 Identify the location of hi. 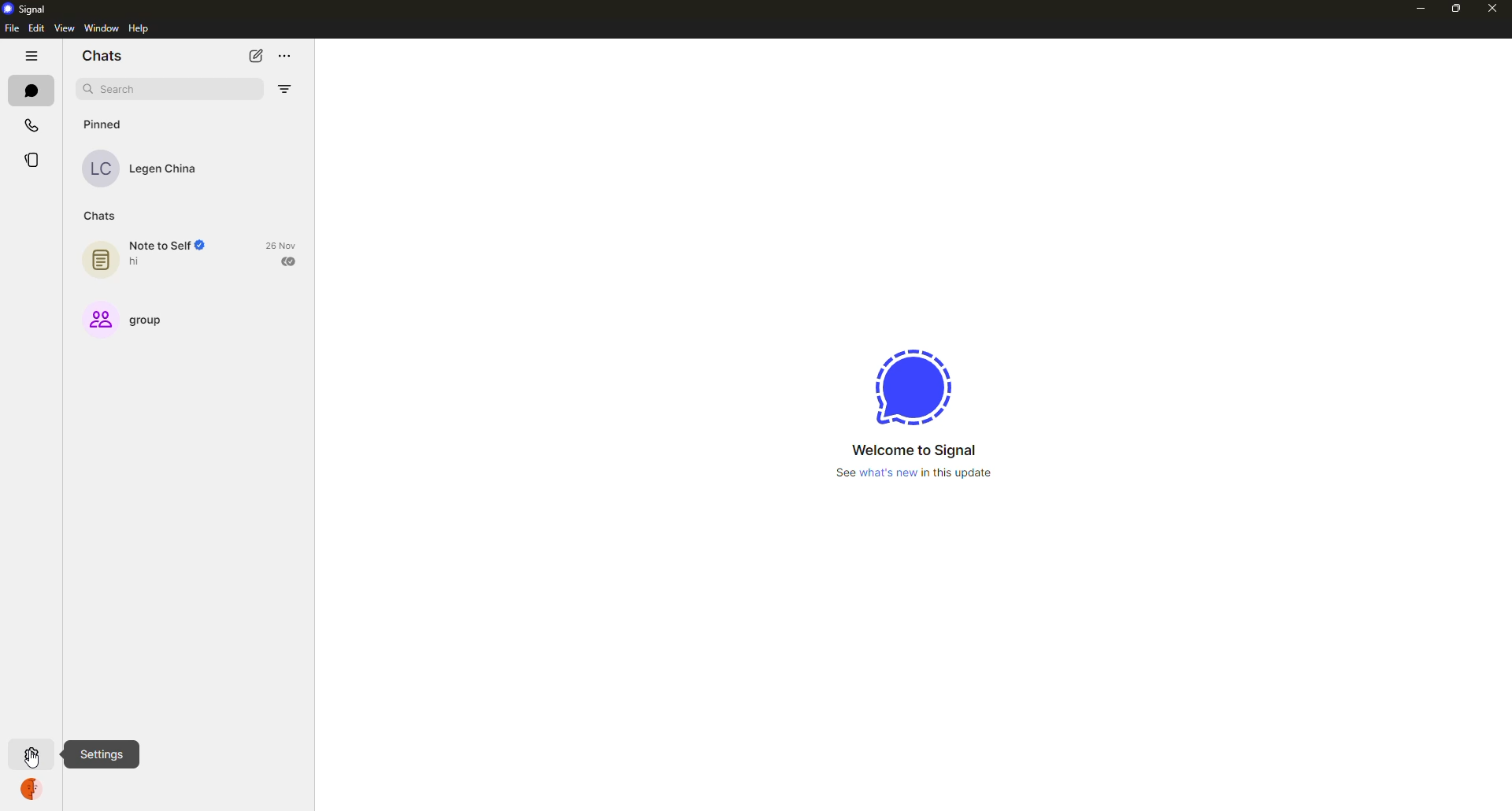
(139, 262).